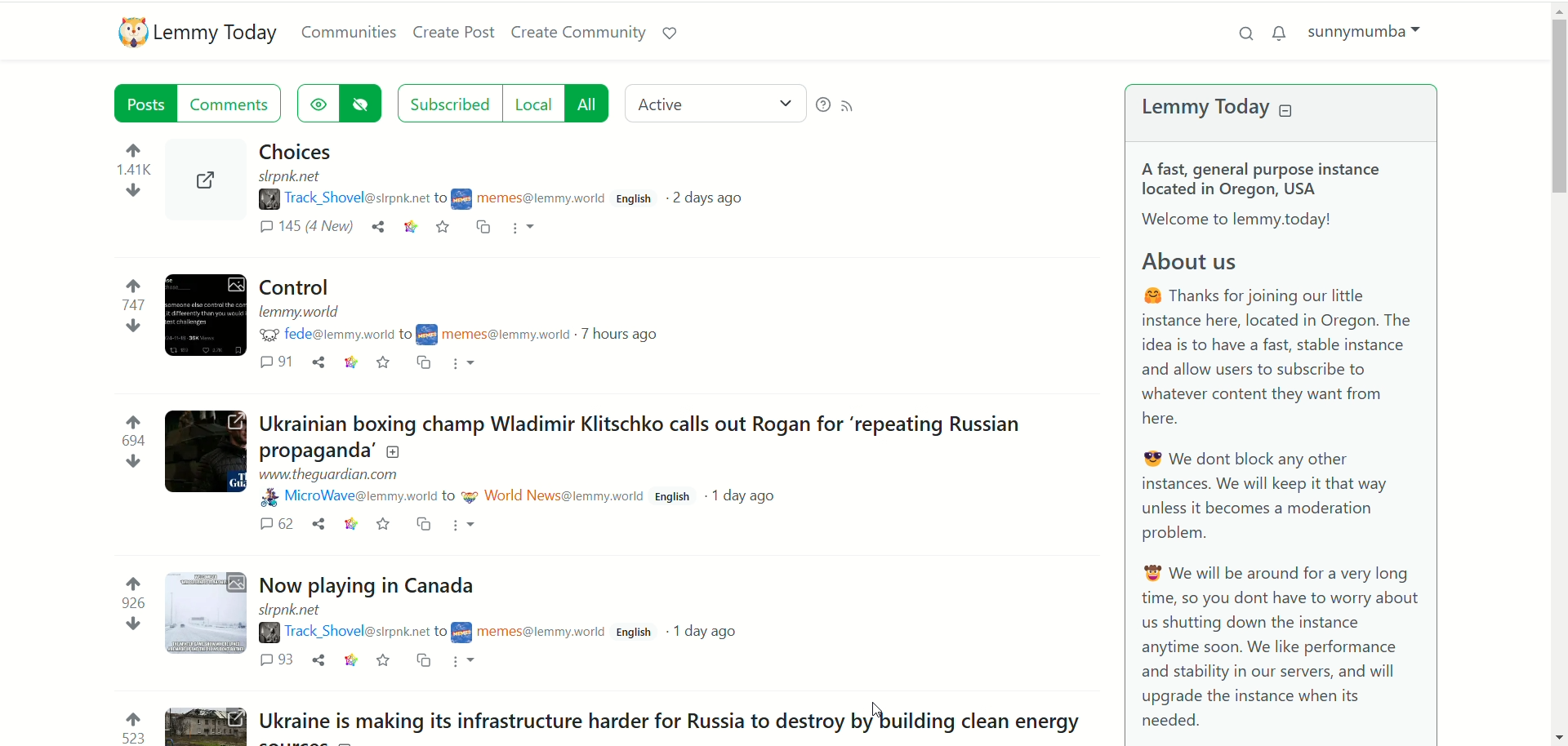 The width and height of the screenshot is (1568, 746). Describe the element at coordinates (274, 524) in the screenshot. I see `comments` at that location.